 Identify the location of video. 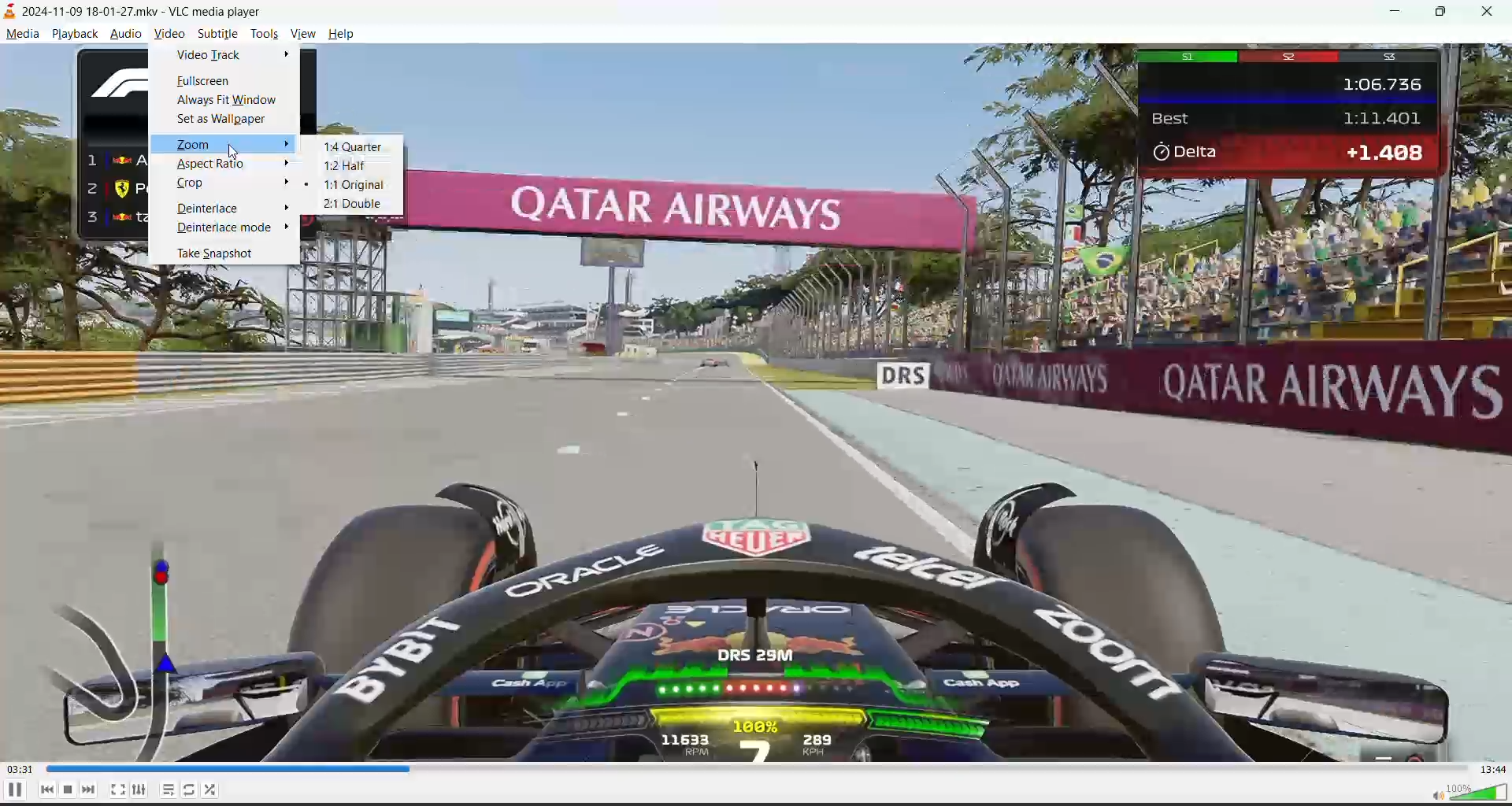
(169, 32).